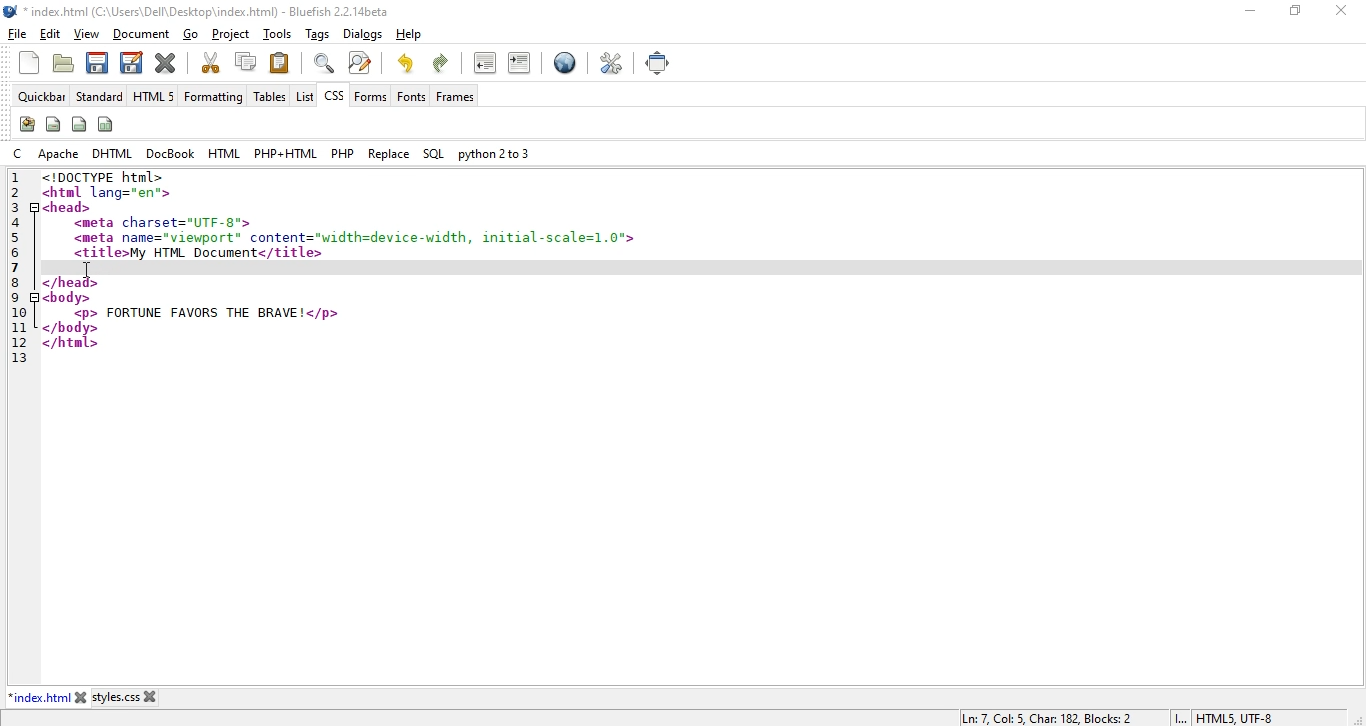 The image size is (1366, 726). I want to click on close, so click(1346, 9).